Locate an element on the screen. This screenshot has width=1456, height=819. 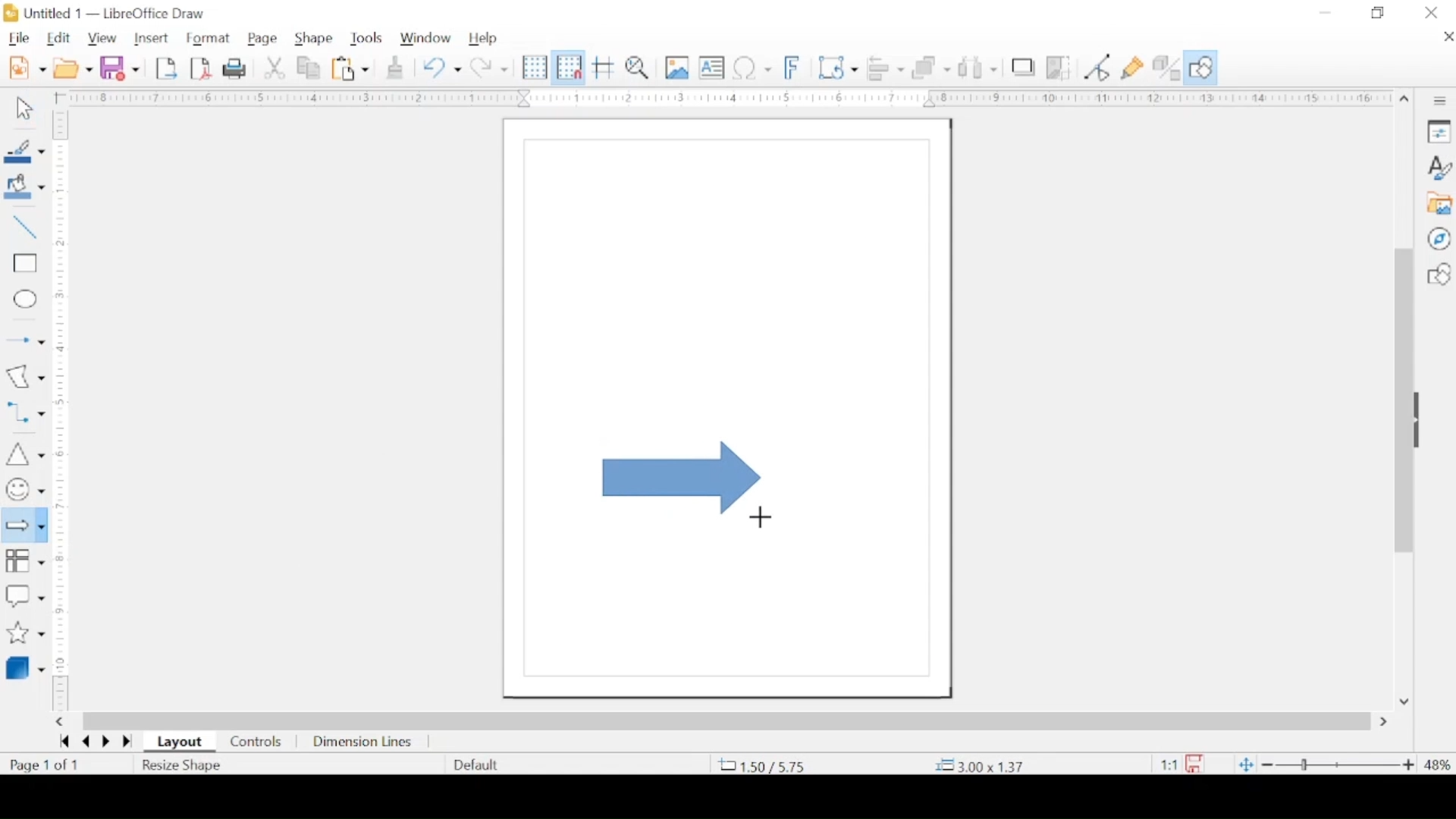
helplines while moving is located at coordinates (604, 67).